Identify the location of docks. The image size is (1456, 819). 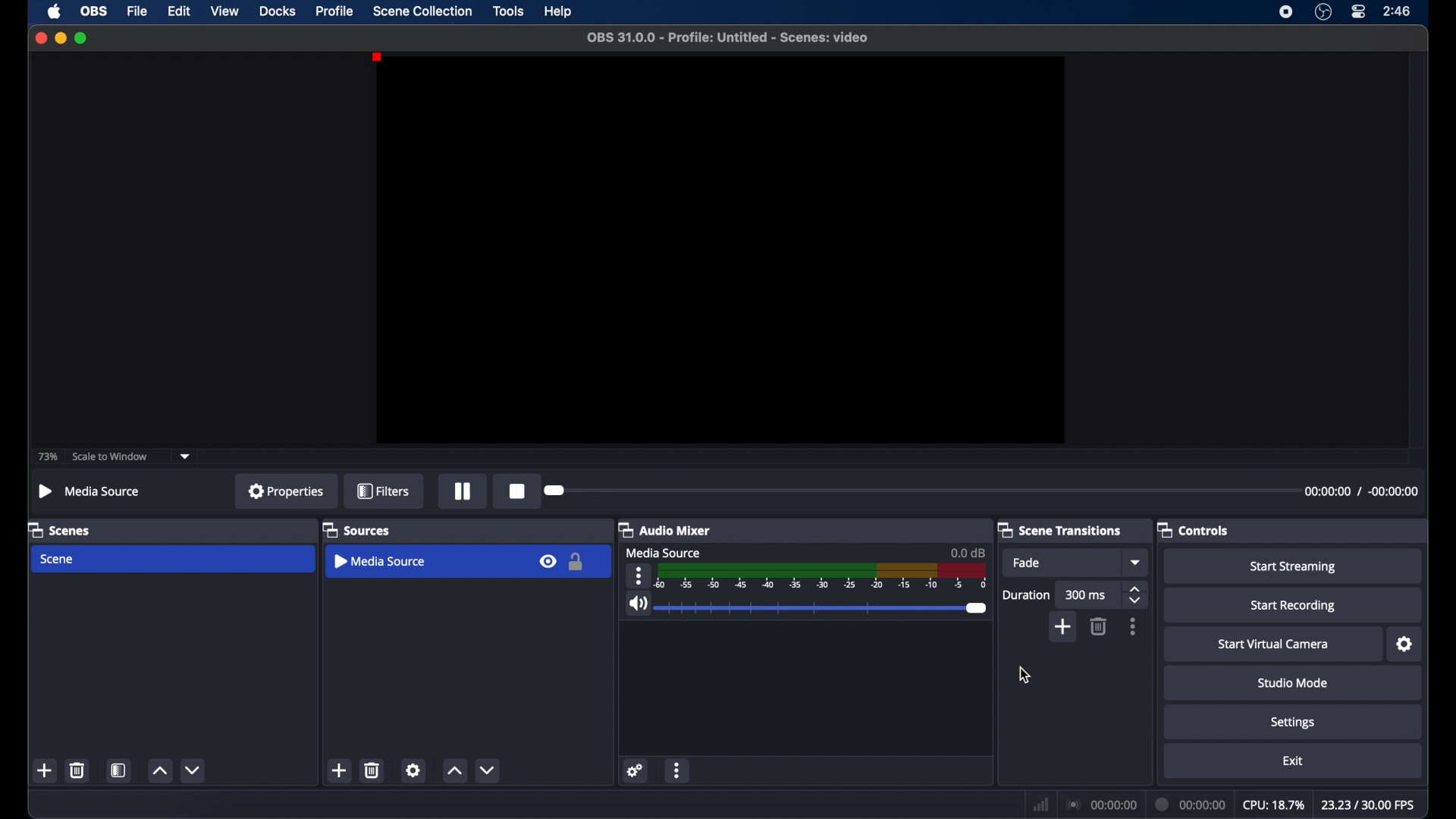
(278, 11).